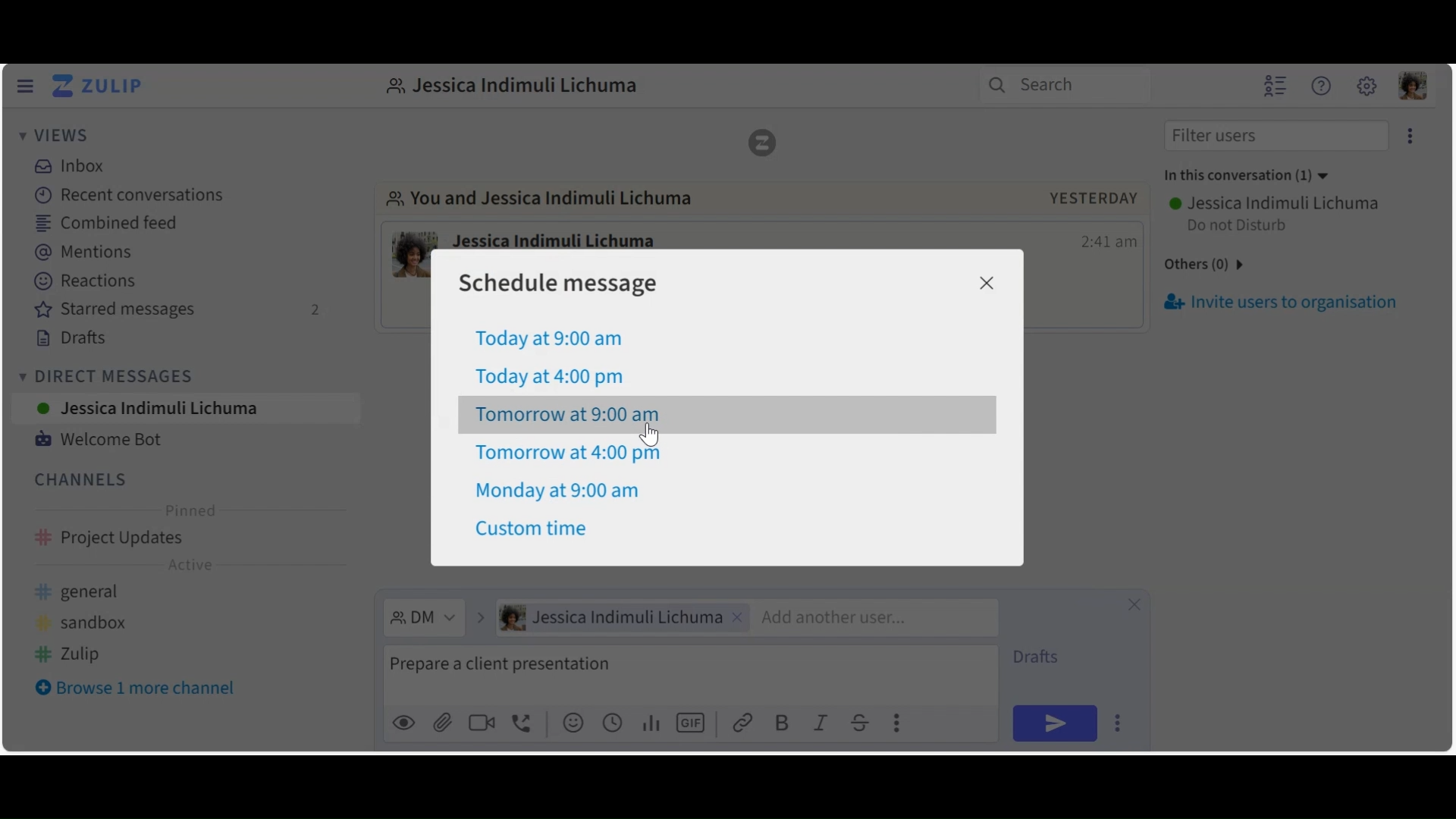 Image resolution: width=1456 pixels, height=819 pixels. I want to click on Search, so click(1072, 86).